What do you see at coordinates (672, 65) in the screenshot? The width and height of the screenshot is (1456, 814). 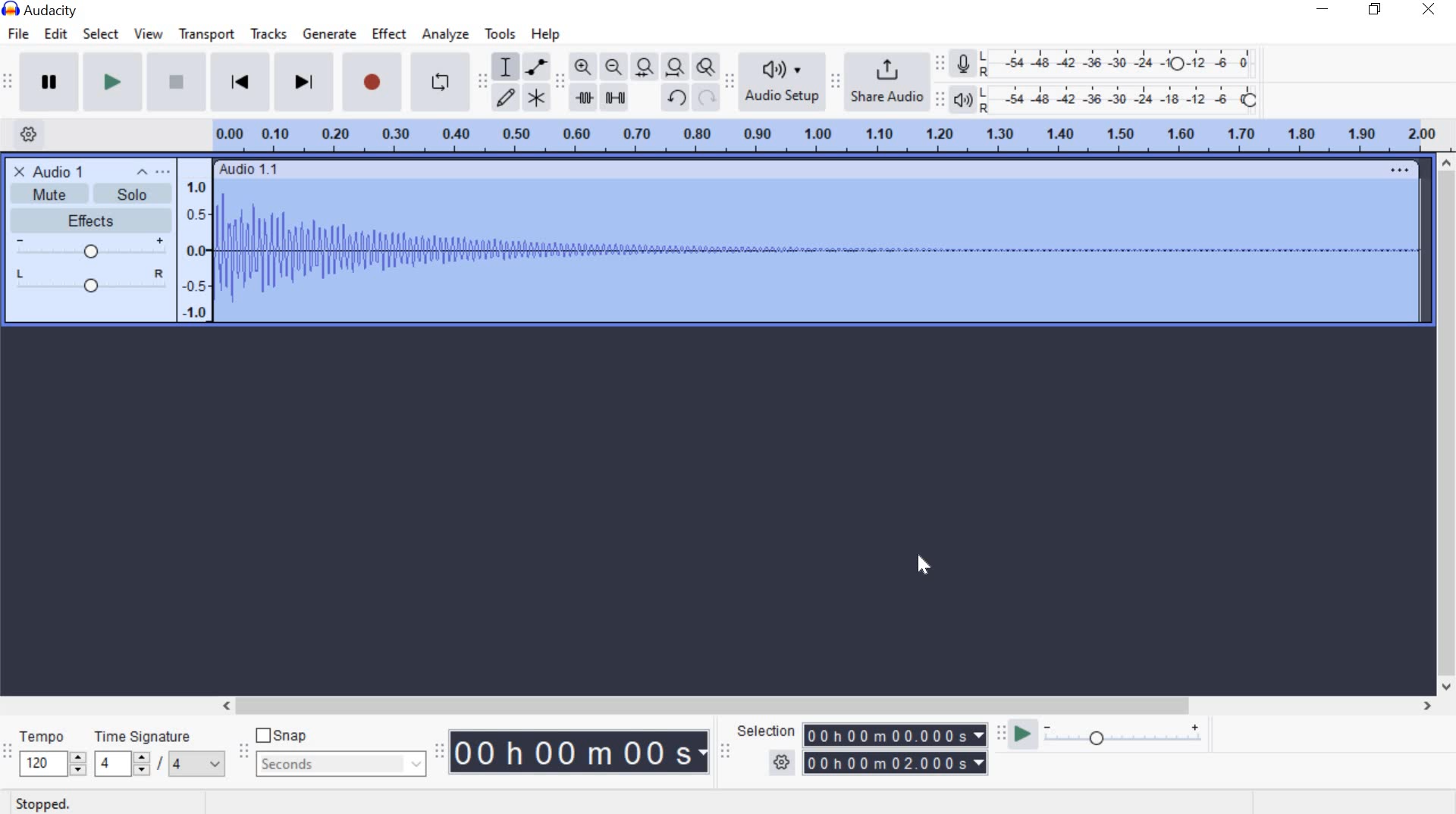 I see `Fit project to width` at bounding box center [672, 65].